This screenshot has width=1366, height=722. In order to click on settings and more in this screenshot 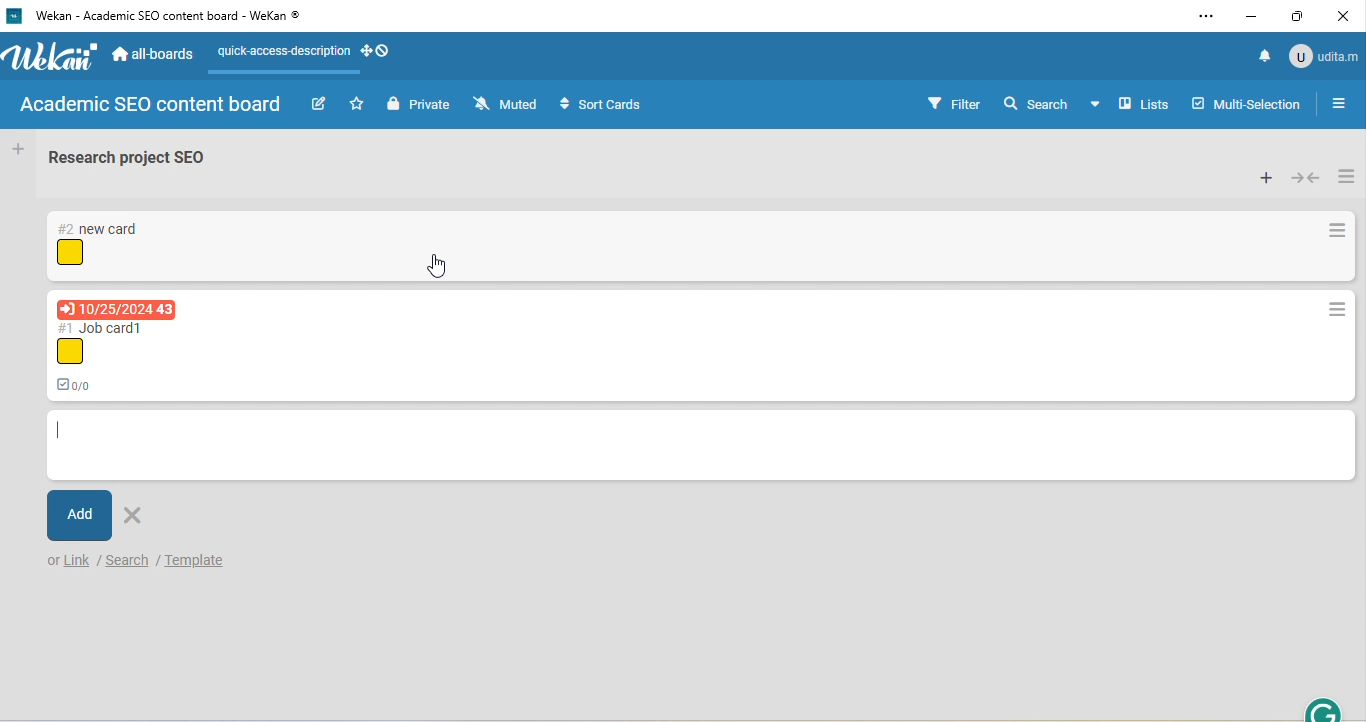, I will do `click(1205, 17)`.